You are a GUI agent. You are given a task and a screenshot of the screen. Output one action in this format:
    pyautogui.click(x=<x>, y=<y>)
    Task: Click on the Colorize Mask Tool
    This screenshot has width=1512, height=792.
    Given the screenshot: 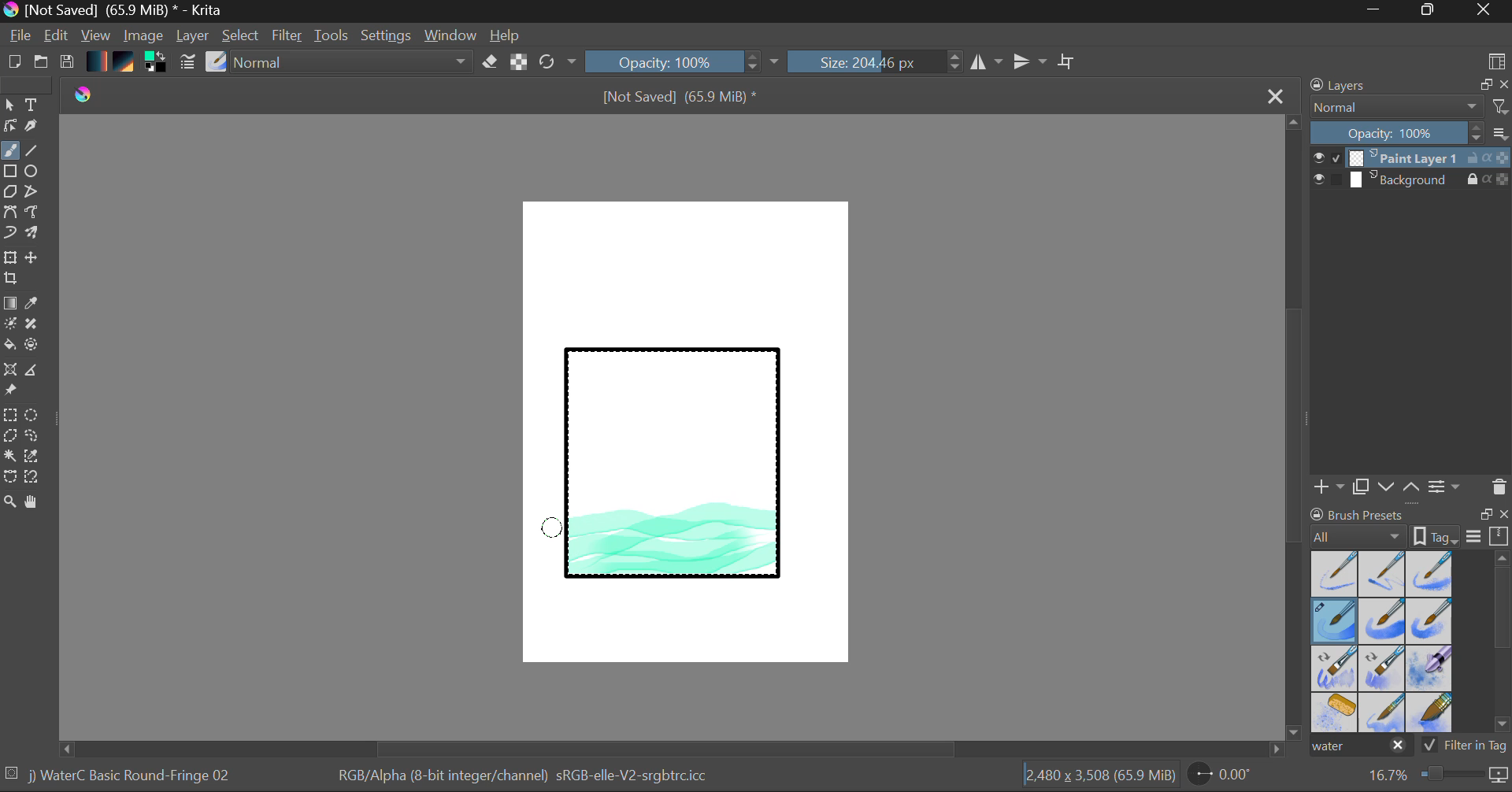 What is the action you would take?
    pyautogui.click(x=11, y=325)
    